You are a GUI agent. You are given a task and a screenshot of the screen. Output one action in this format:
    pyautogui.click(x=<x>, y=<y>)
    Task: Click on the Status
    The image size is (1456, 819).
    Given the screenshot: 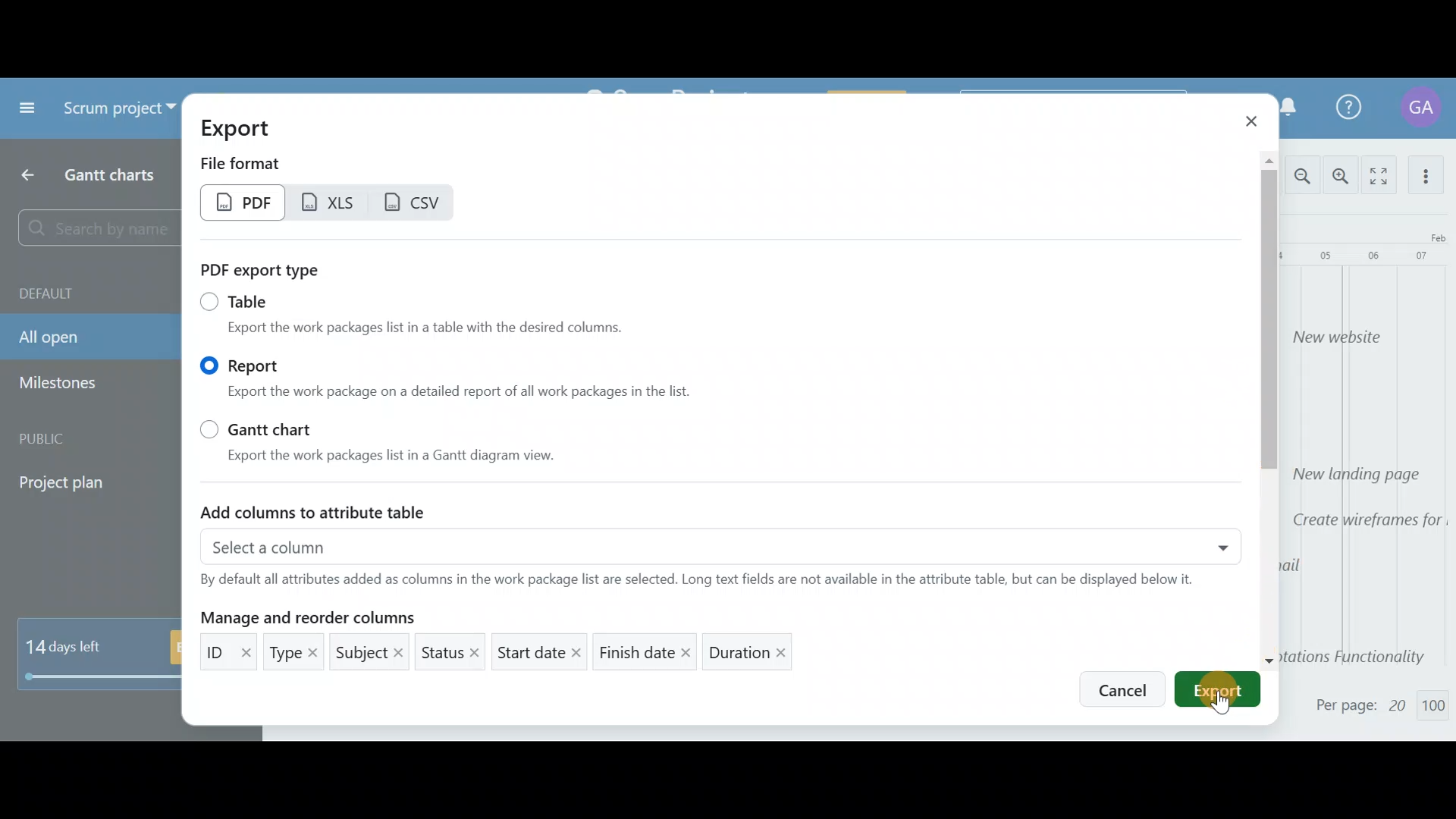 What is the action you would take?
    pyautogui.click(x=450, y=650)
    